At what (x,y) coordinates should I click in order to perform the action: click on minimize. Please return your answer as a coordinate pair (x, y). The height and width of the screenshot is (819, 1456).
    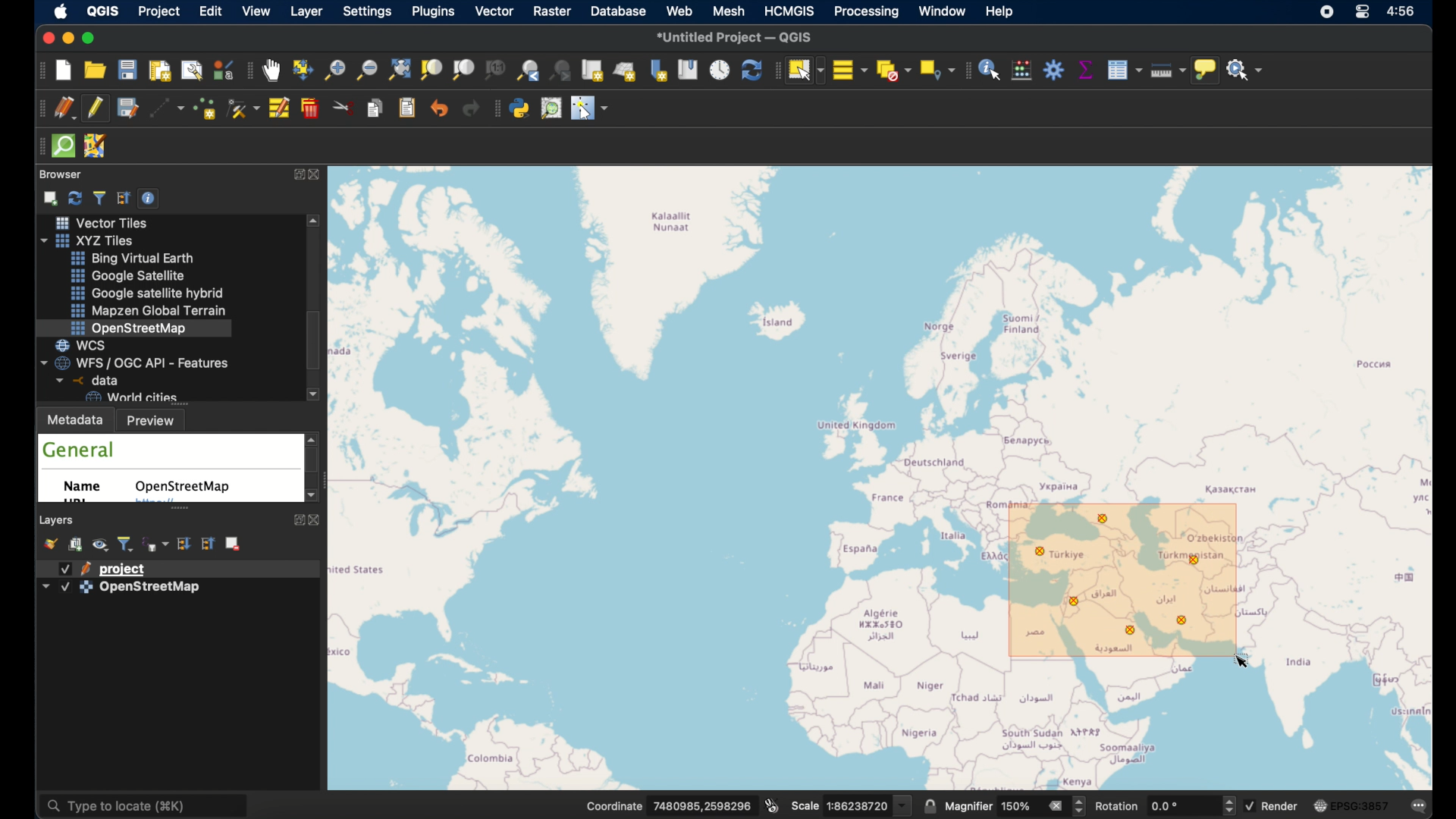
    Looking at the image, I should click on (67, 39).